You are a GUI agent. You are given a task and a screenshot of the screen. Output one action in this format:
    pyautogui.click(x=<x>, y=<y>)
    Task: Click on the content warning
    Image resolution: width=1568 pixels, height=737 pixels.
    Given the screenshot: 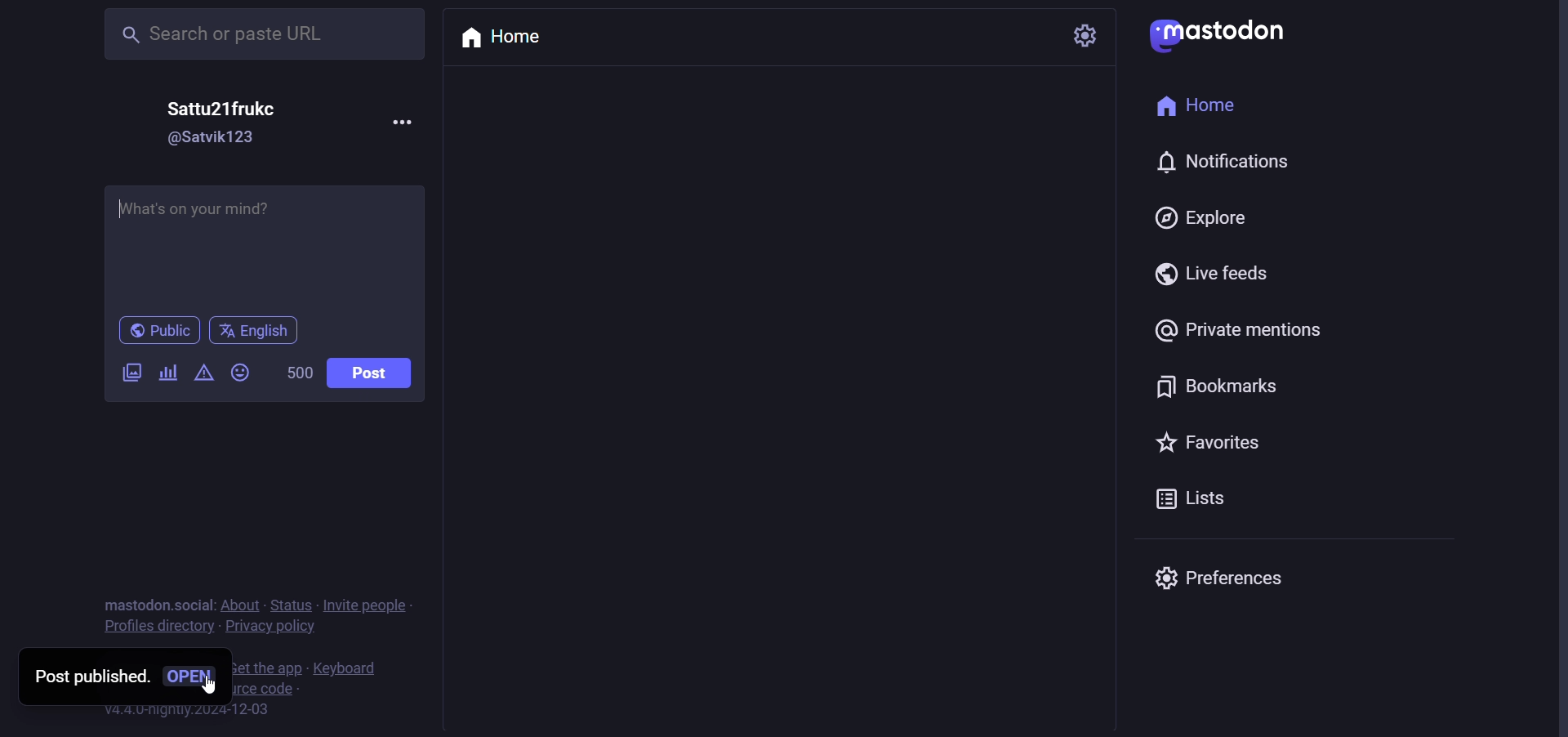 What is the action you would take?
    pyautogui.click(x=204, y=378)
    